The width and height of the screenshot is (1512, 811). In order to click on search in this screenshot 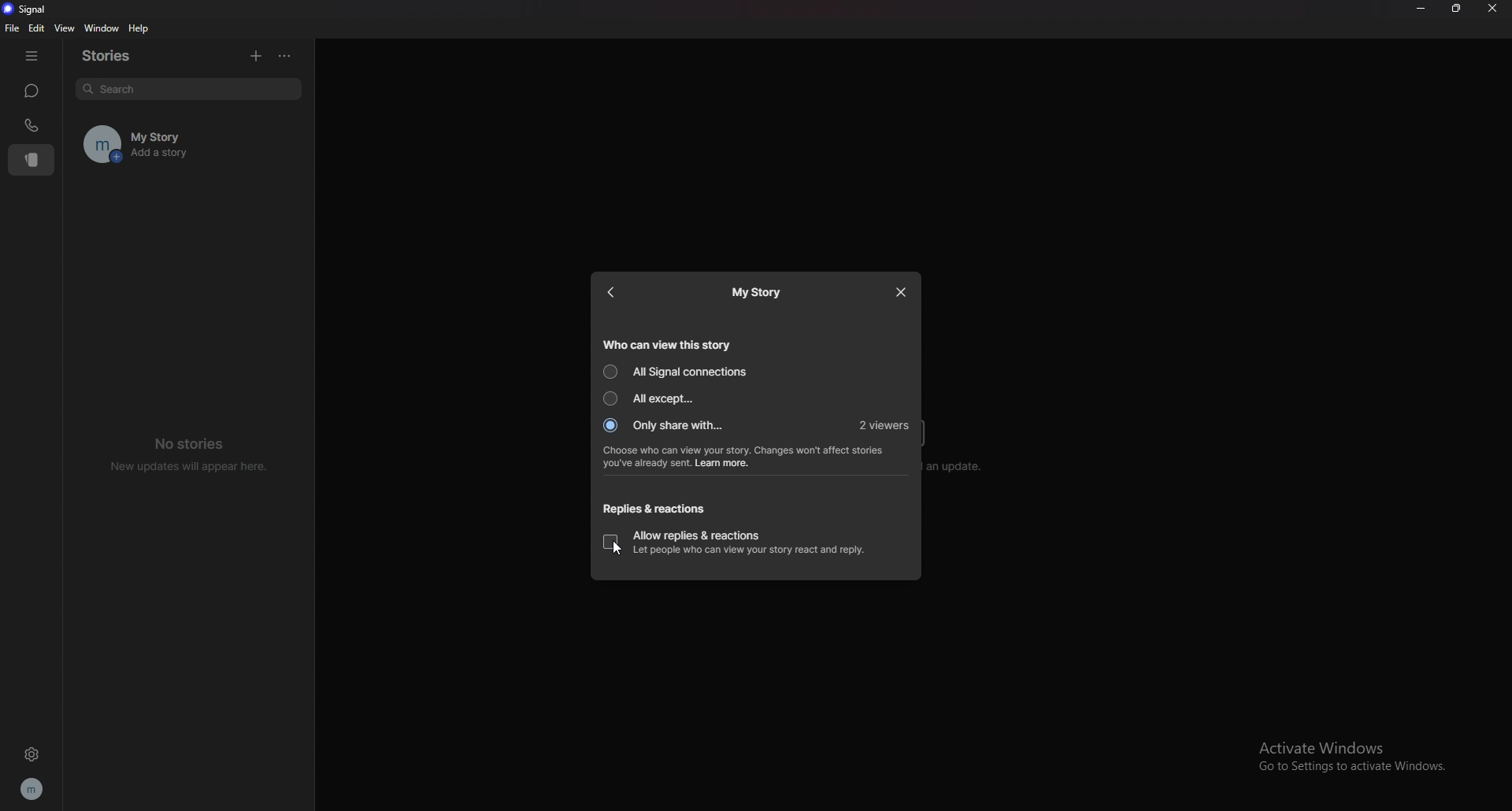, I will do `click(188, 91)`.